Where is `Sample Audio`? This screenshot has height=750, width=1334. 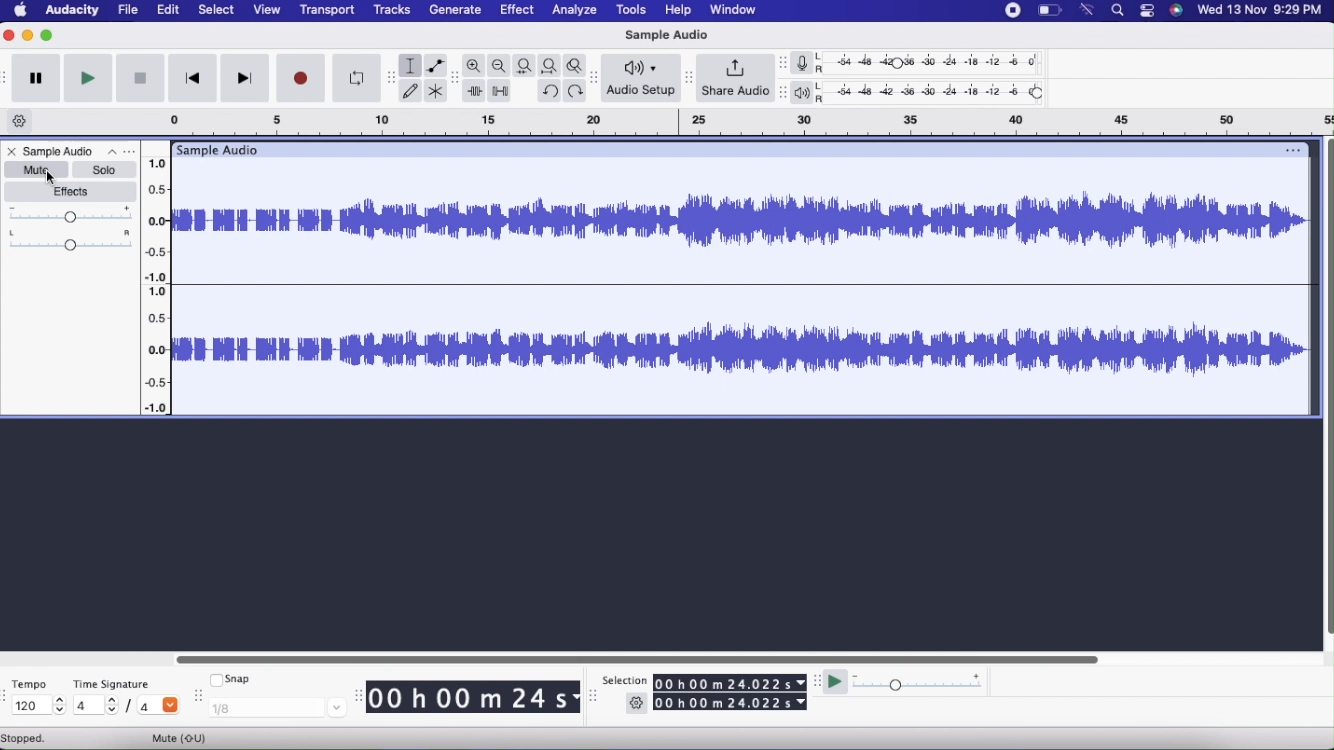 Sample Audio is located at coordinates (219, 149).